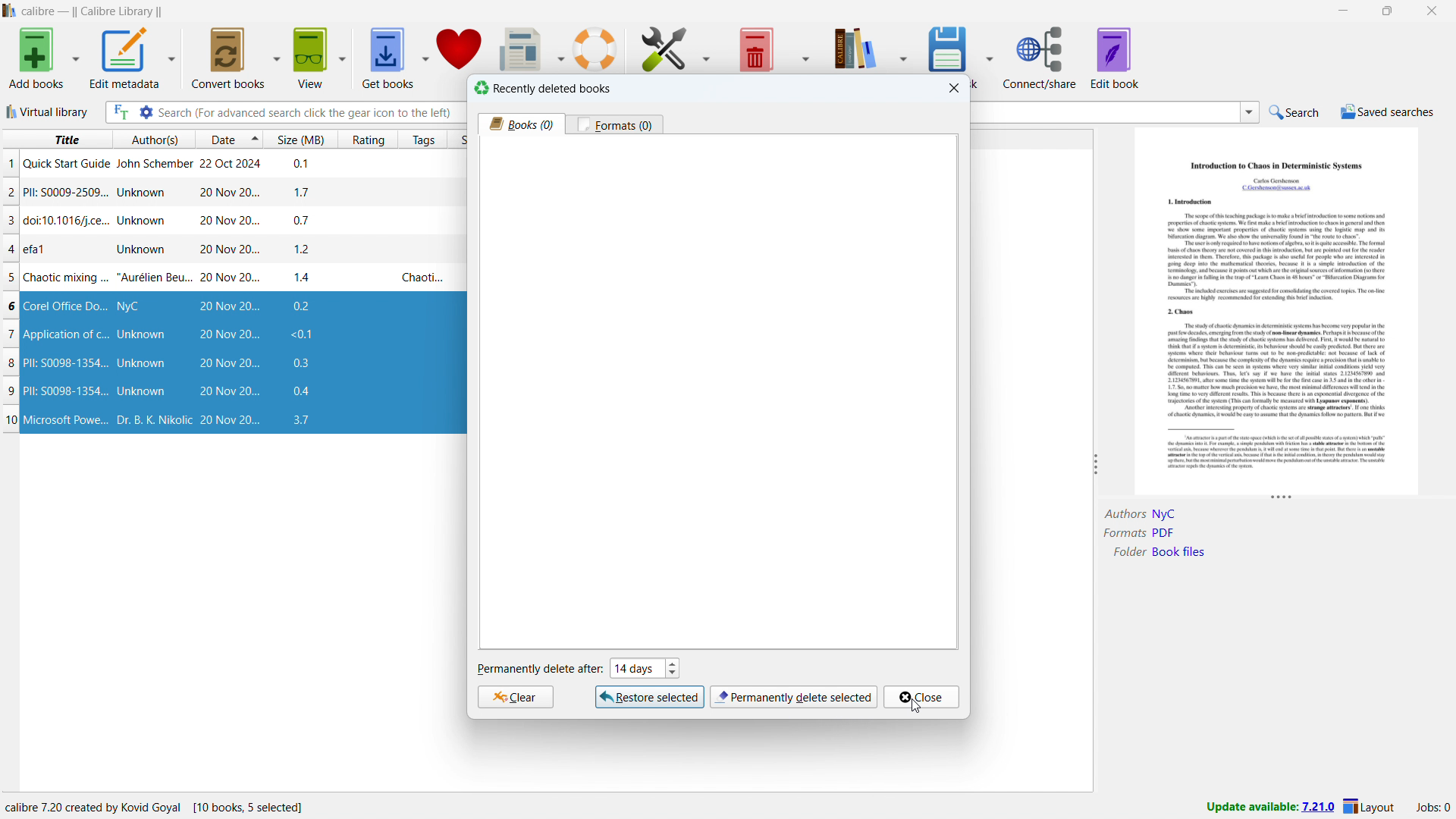  I want to click on recently deleted books, so click(542, 88).